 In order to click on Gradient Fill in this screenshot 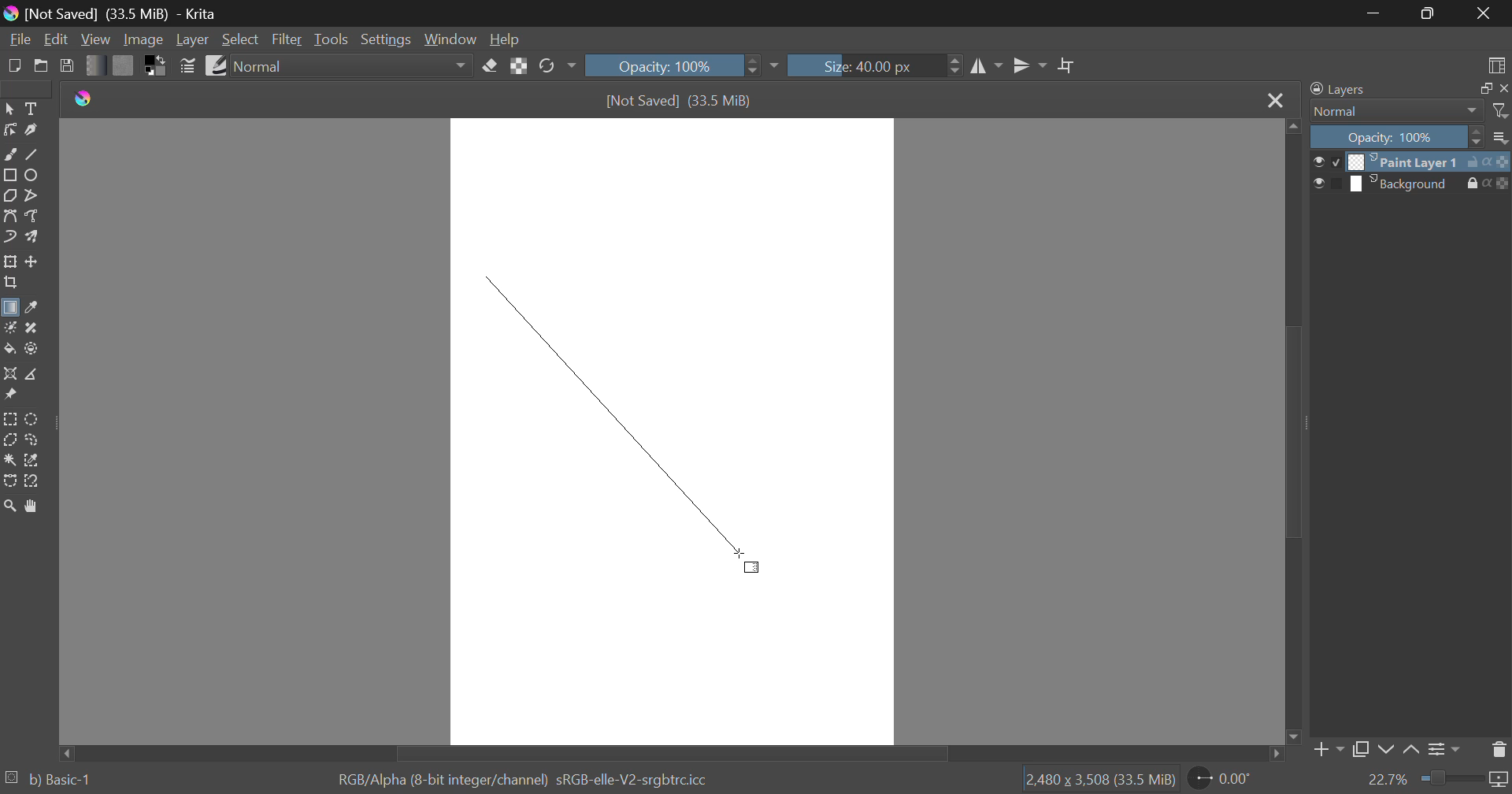, I will do `click(9, 310)`.